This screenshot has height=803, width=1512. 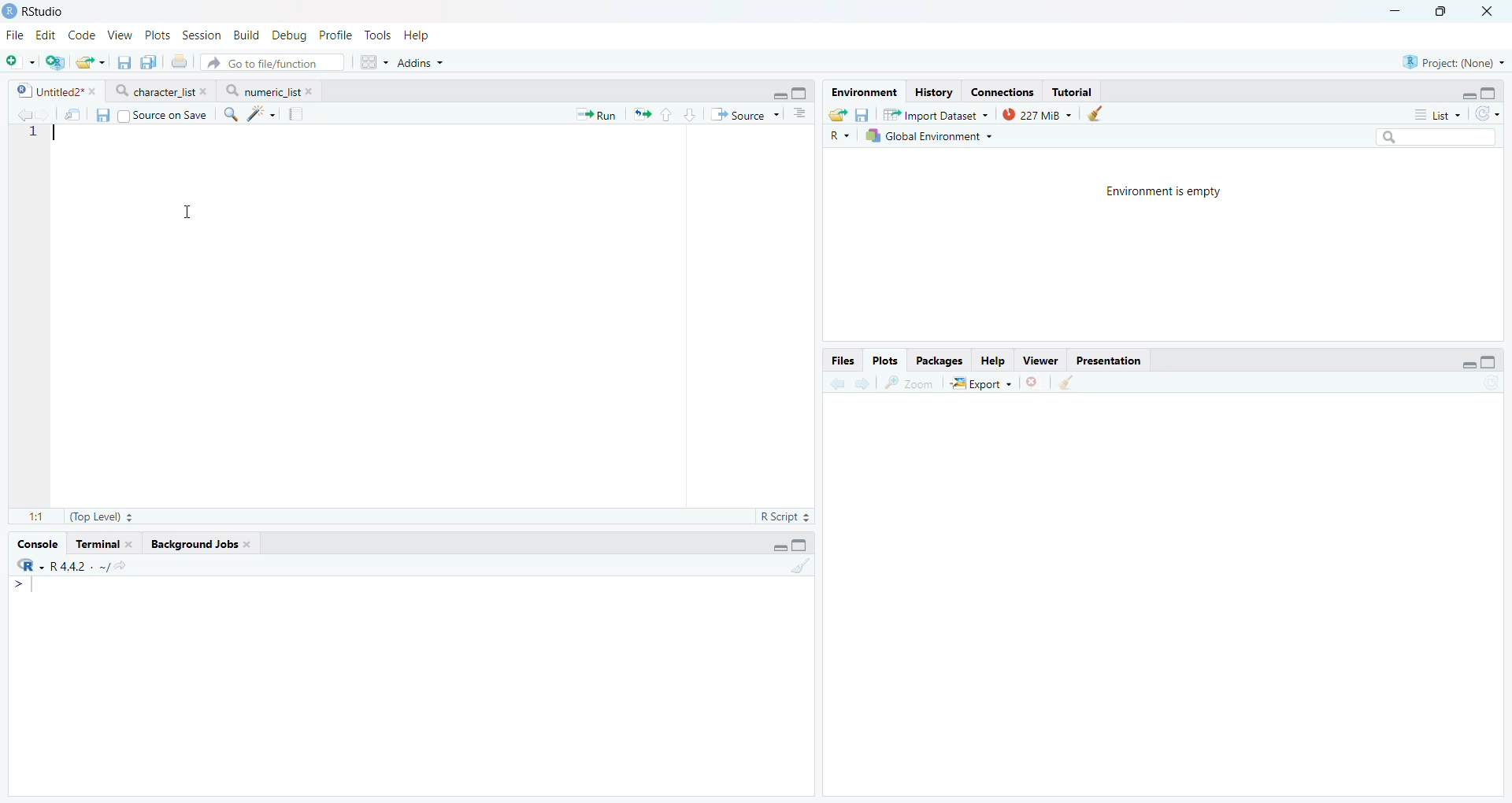 What do you see at coordinates (1163, 194) in the screenshot?
I see `Environment is empty` at bounding box center [1163, 194].